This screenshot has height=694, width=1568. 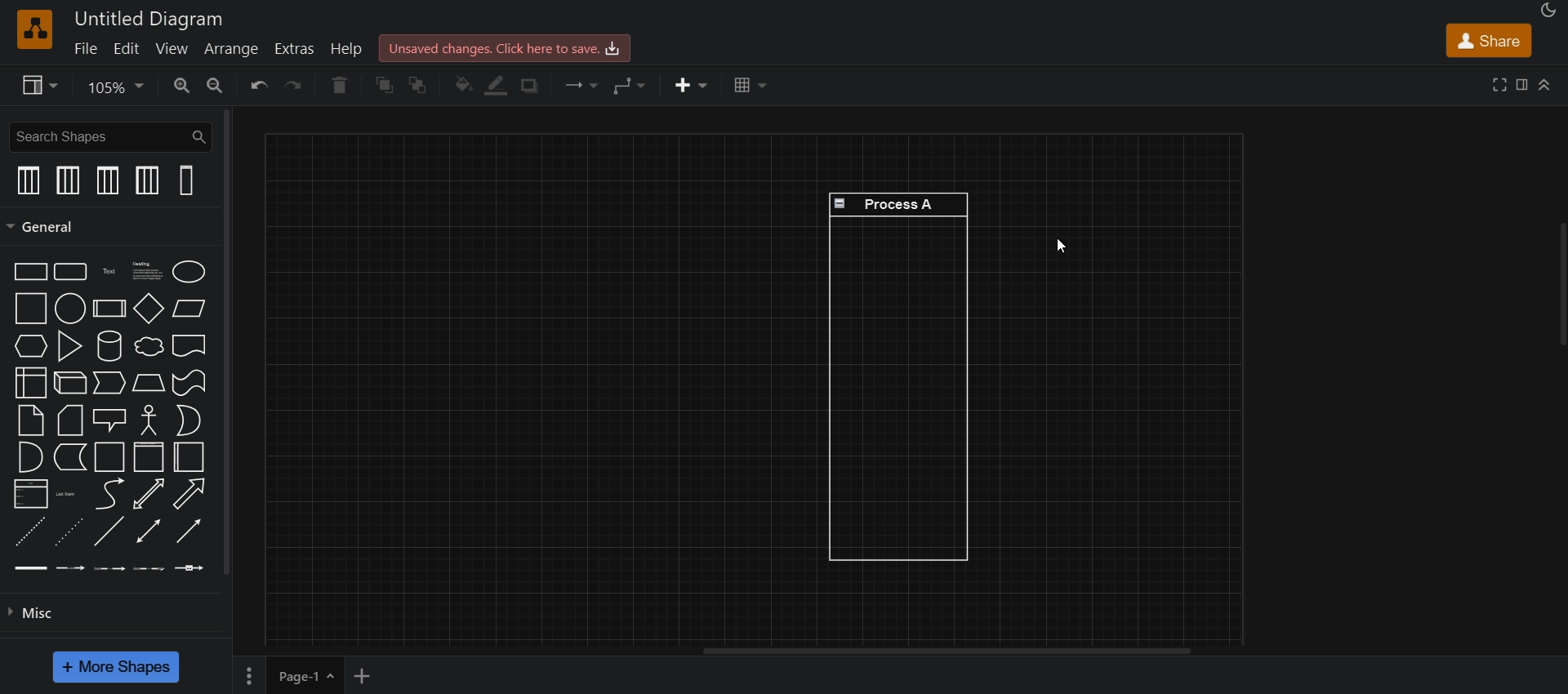 What do you see at coordinates (145, 457) in the screenshot?
I see `horizontal container` at bounding box center [145, 457].